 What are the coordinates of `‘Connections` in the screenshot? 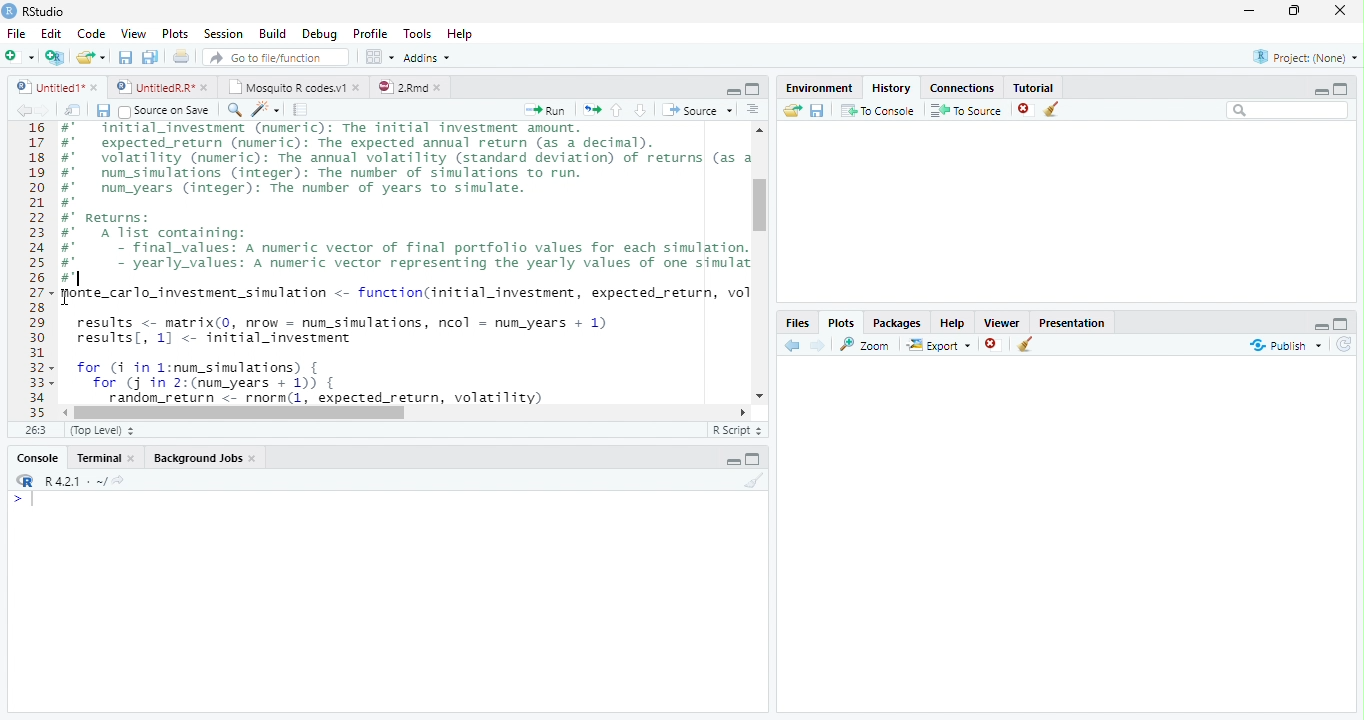 It's located at (959, 86).